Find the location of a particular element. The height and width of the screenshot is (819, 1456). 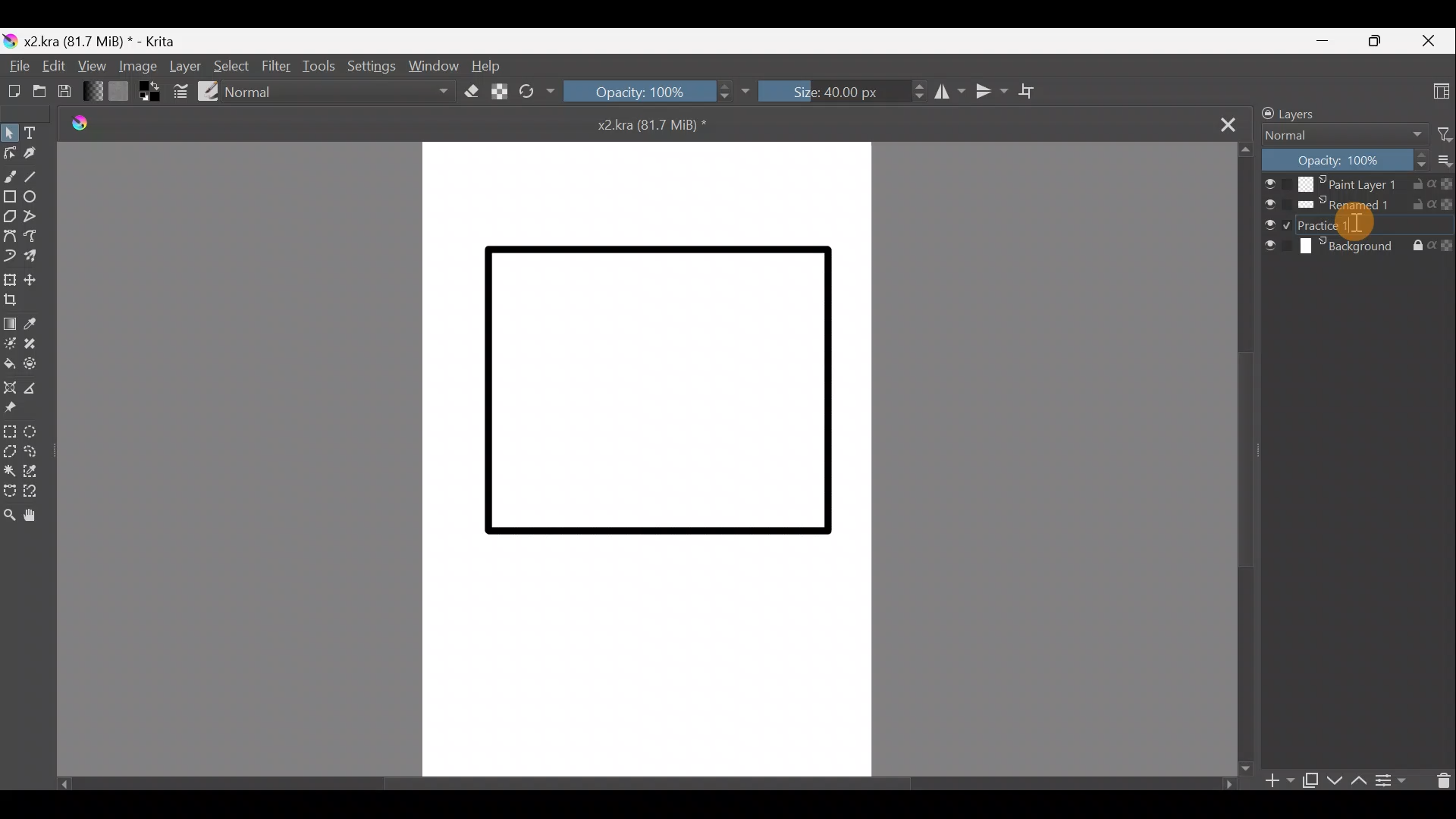

Paint Layer 1 is located at coordinates (1355, 184).